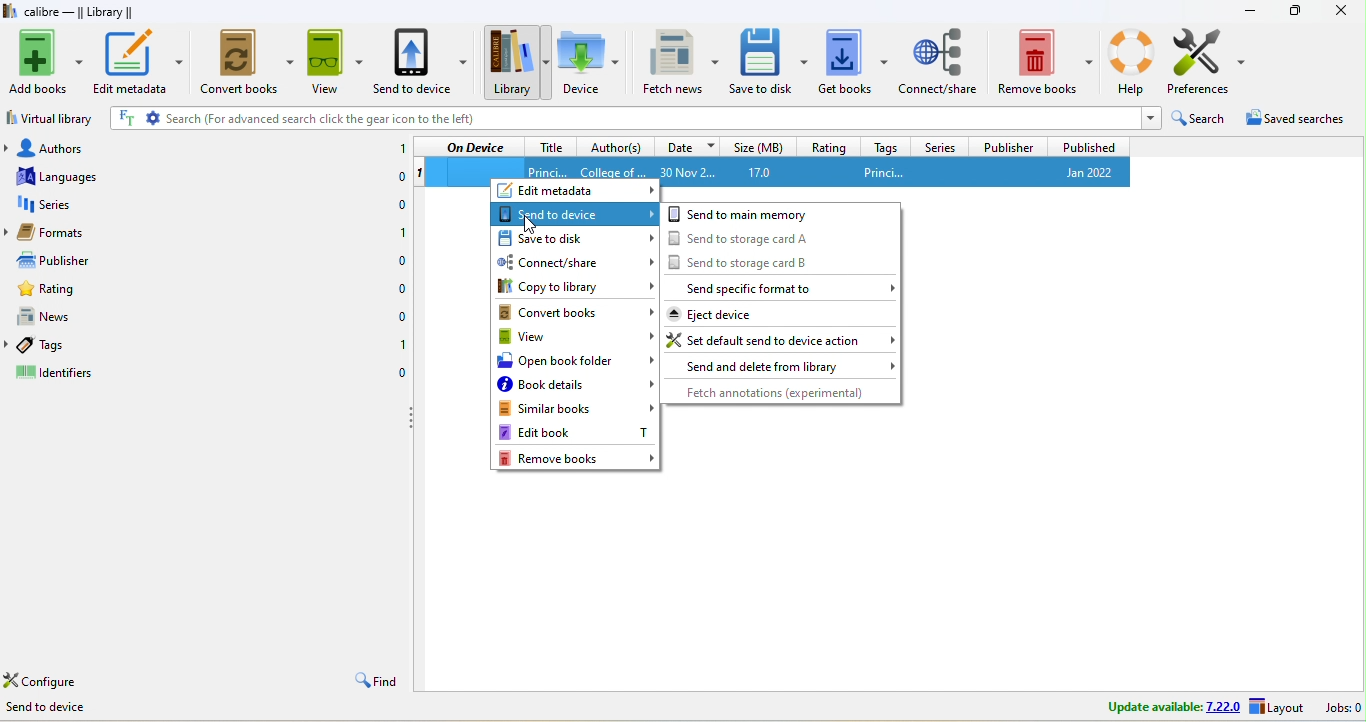 This screenshot has height=722, width=1366. I want to click on 0, so click(394, 179).